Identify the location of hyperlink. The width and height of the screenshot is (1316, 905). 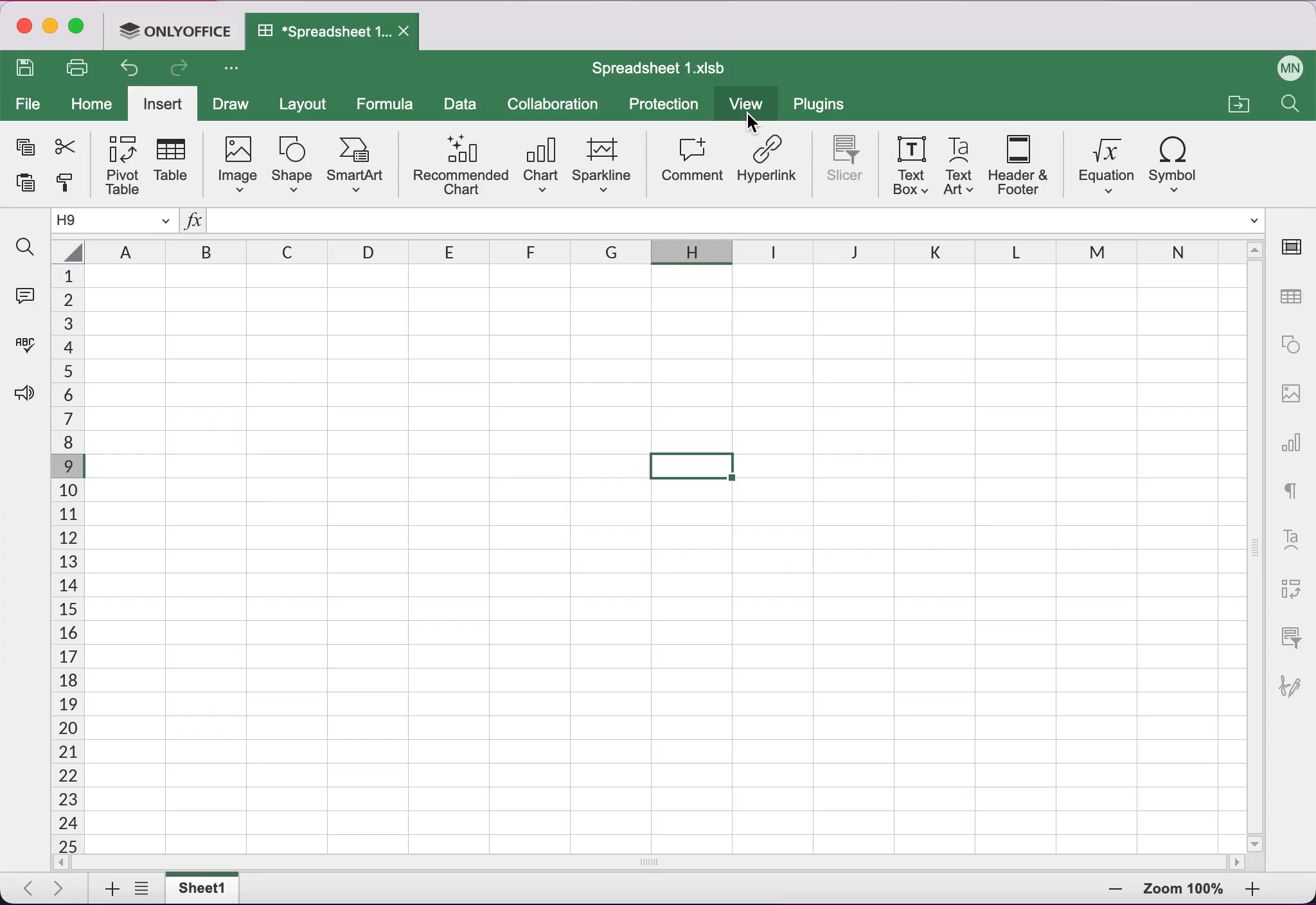
(769, 166).